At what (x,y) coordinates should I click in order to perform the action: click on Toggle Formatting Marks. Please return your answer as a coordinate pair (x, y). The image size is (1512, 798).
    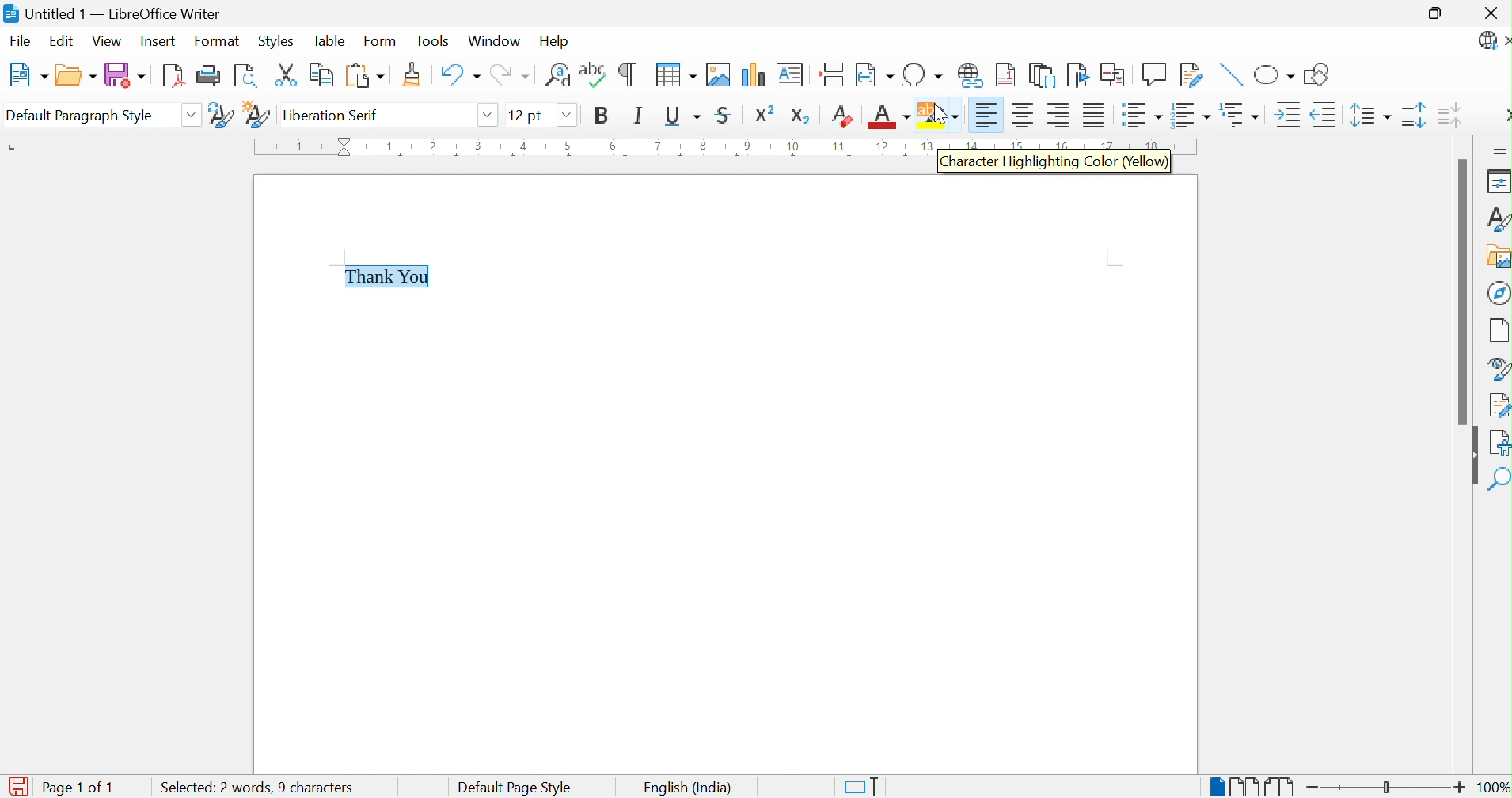
    Looking at the image, I should click on (629, 74).